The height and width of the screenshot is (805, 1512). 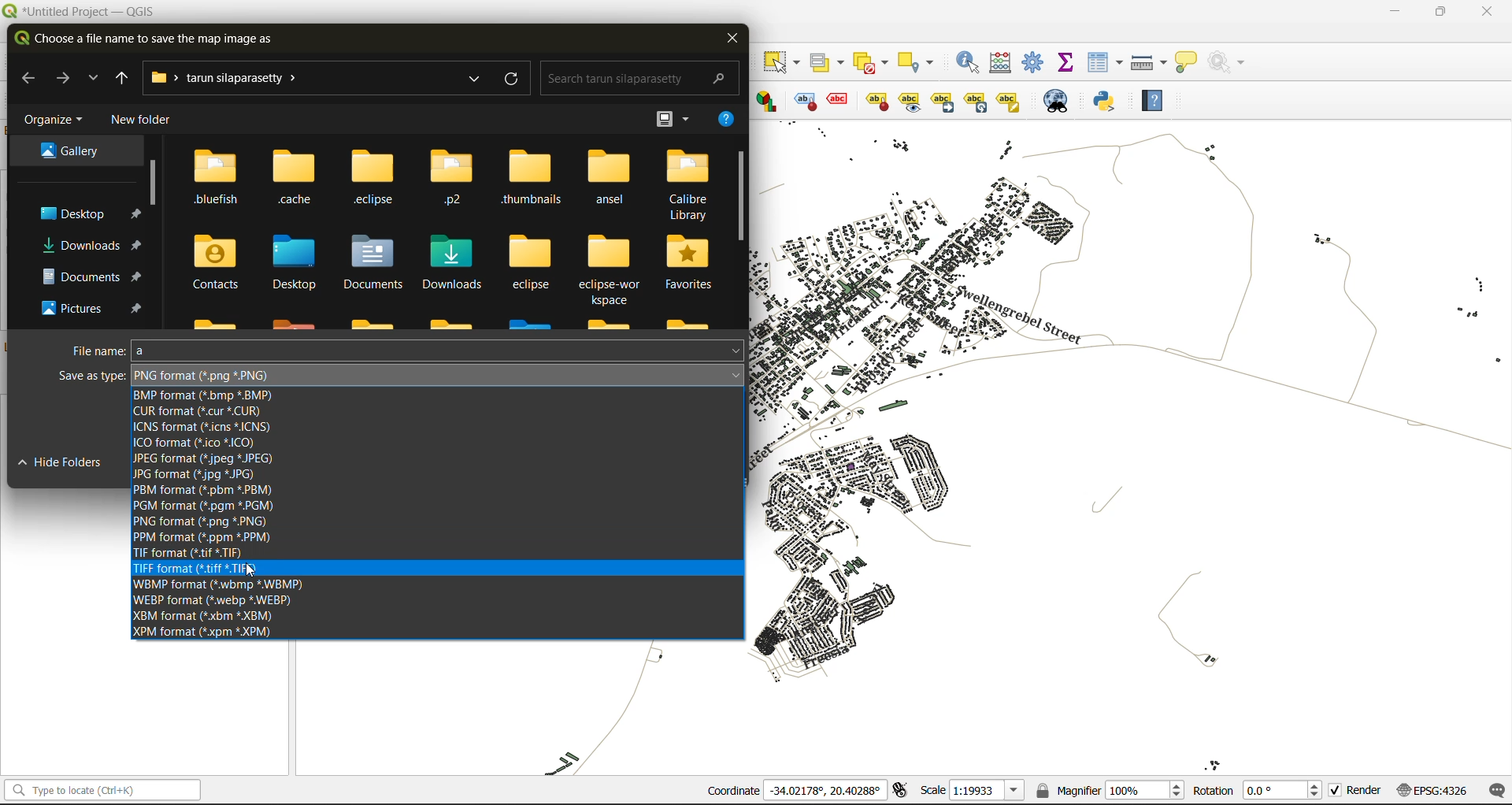 What do you see at coordinates (795, 792) in the screenshot?
I see `coordinates` at bounding box center [795, 792].